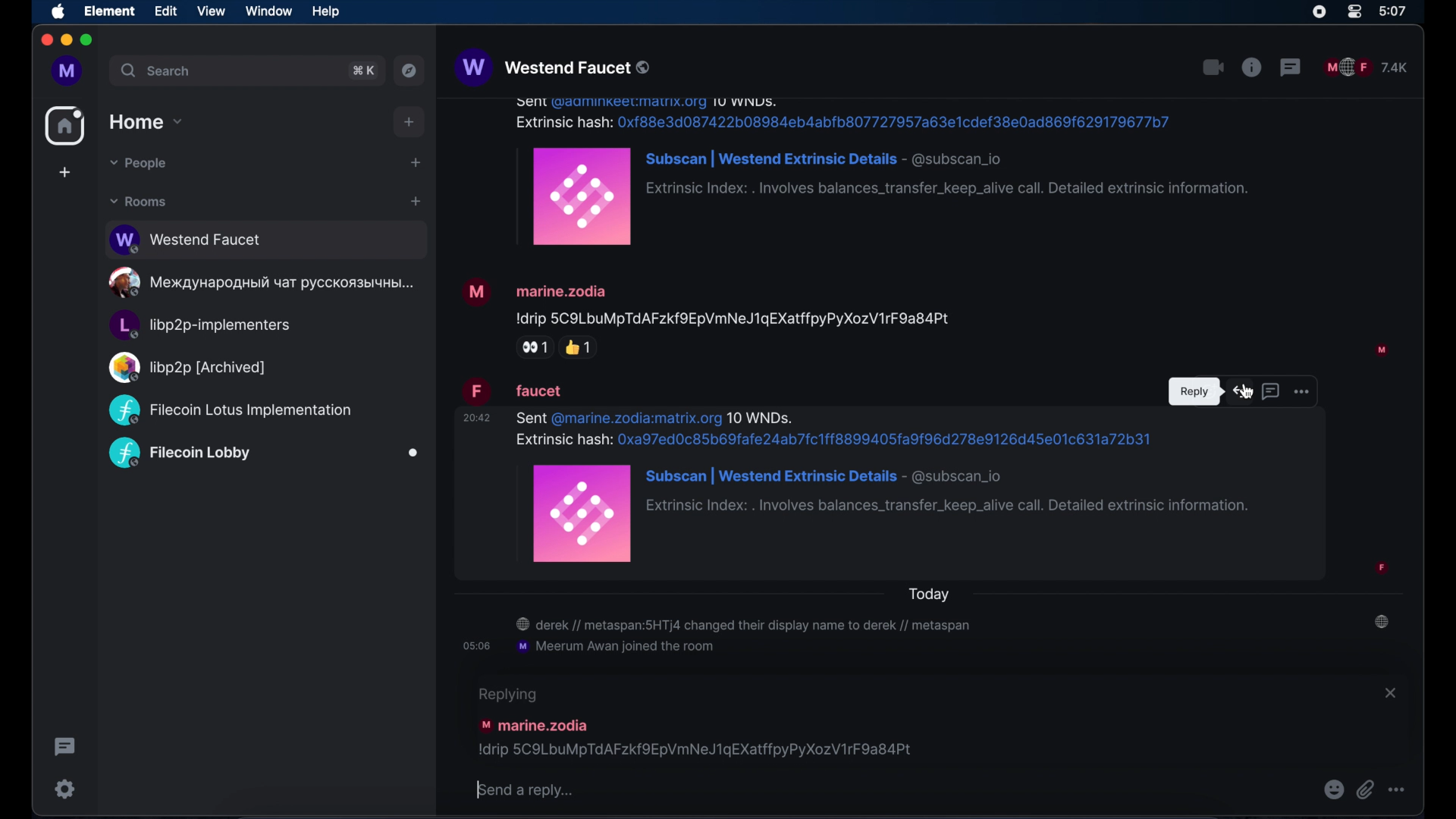 The width and height of the screenshot is (1456, 819). Describe the element at coordinates (928, 505) in the screenshot. I see `message` at that location.